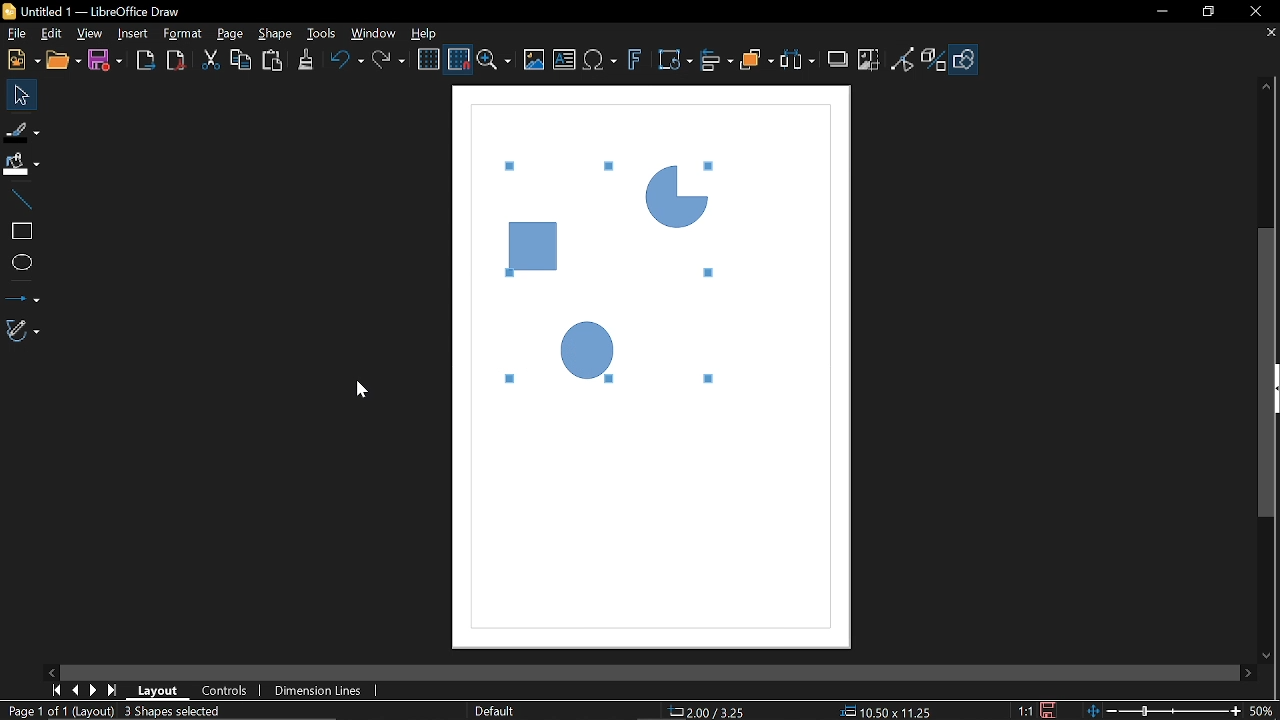 The width and height of the screenshot is (1280, 720). What do you see at coordinates (1024, 710) in the screenshot?
I see `Scaling factor ` at bounding box center [1024, 710].